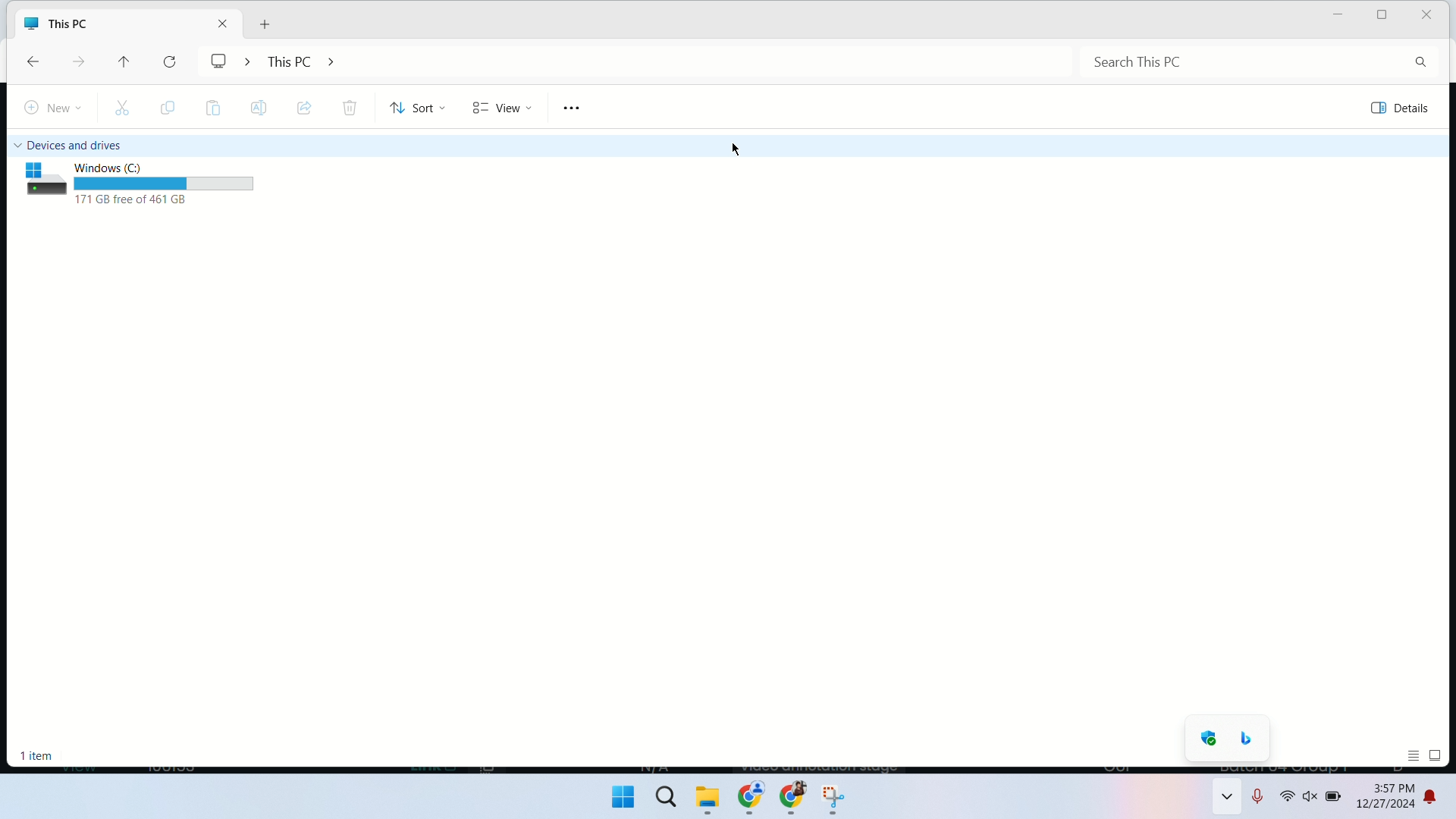 The image size is (1456, 819). I want to click on chrome, so click(793, 799).